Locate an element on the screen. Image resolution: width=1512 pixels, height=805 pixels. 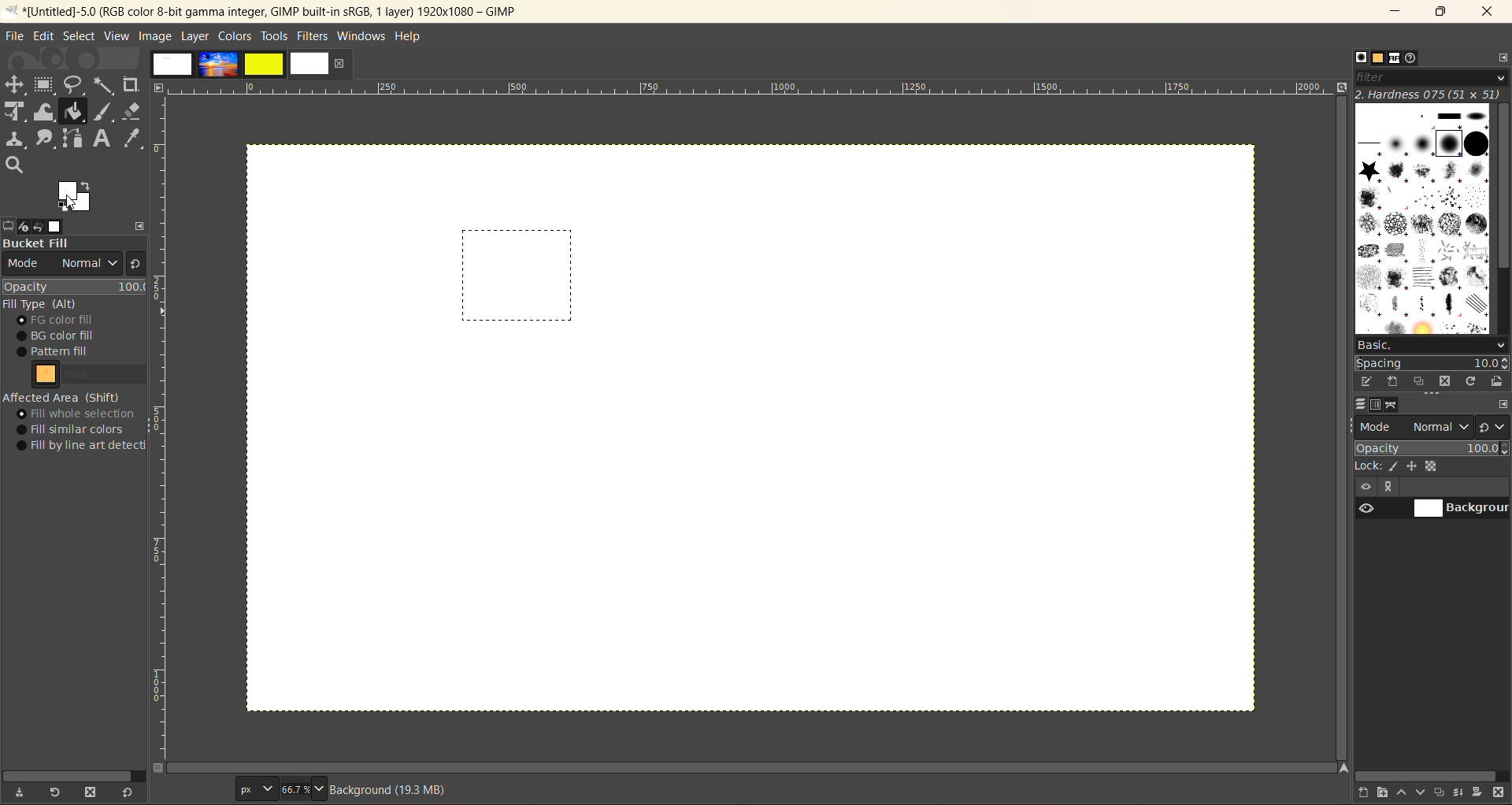
fg color is located at coordinates (62, 321).